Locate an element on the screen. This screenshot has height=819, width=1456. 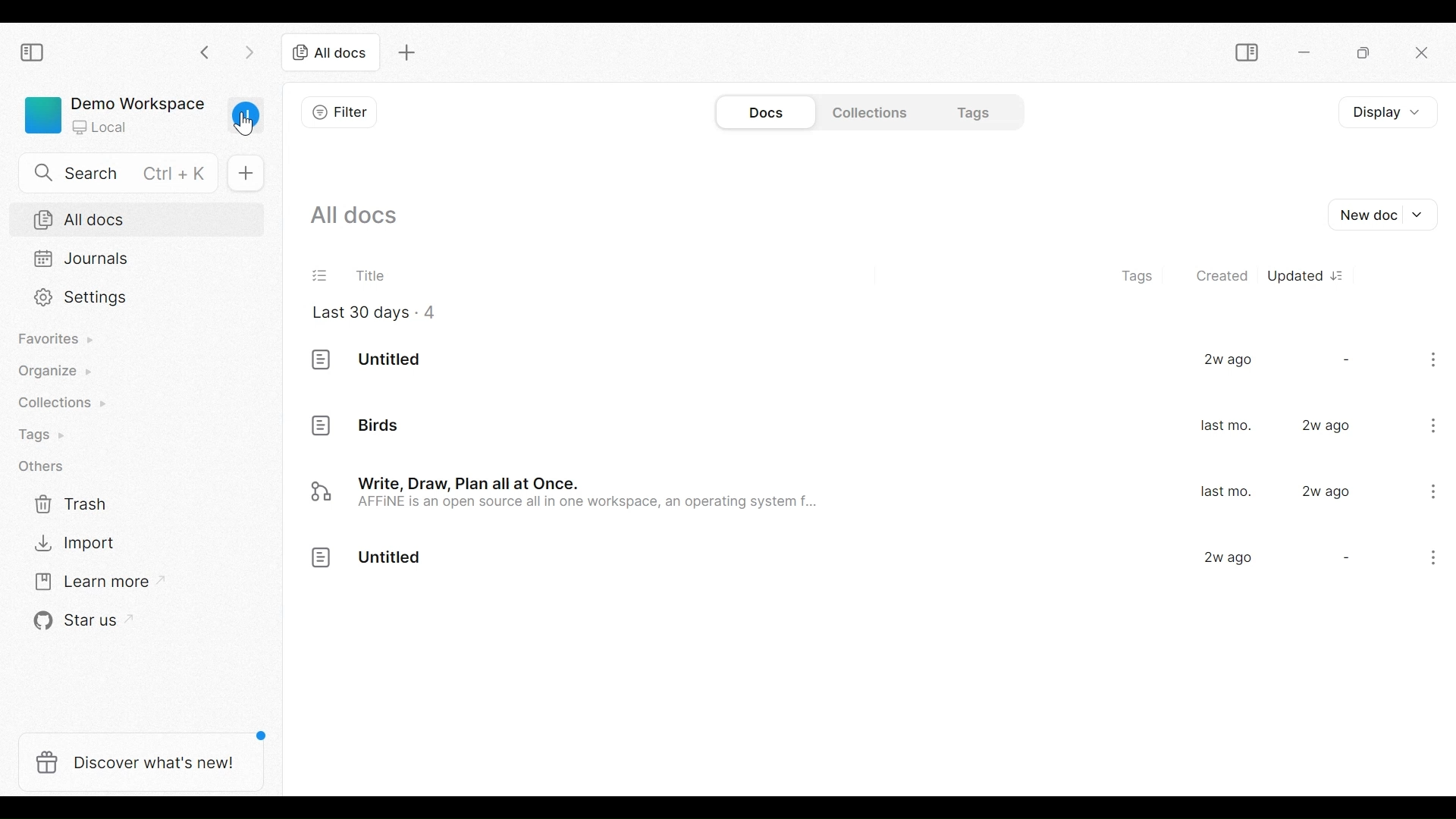
Trash is located at coordinates (67, 504).